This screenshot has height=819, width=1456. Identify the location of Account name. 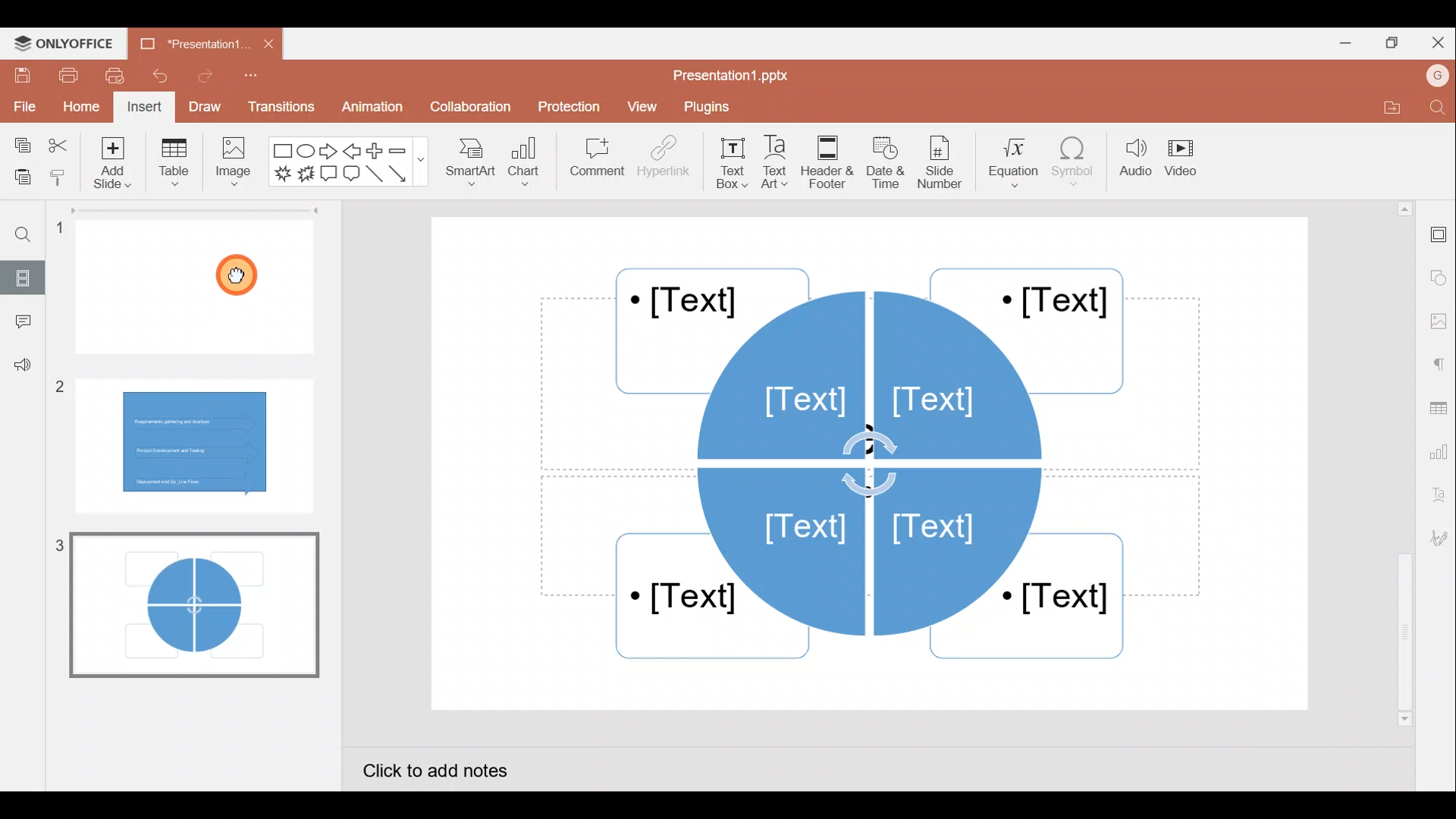
(1432, 78).